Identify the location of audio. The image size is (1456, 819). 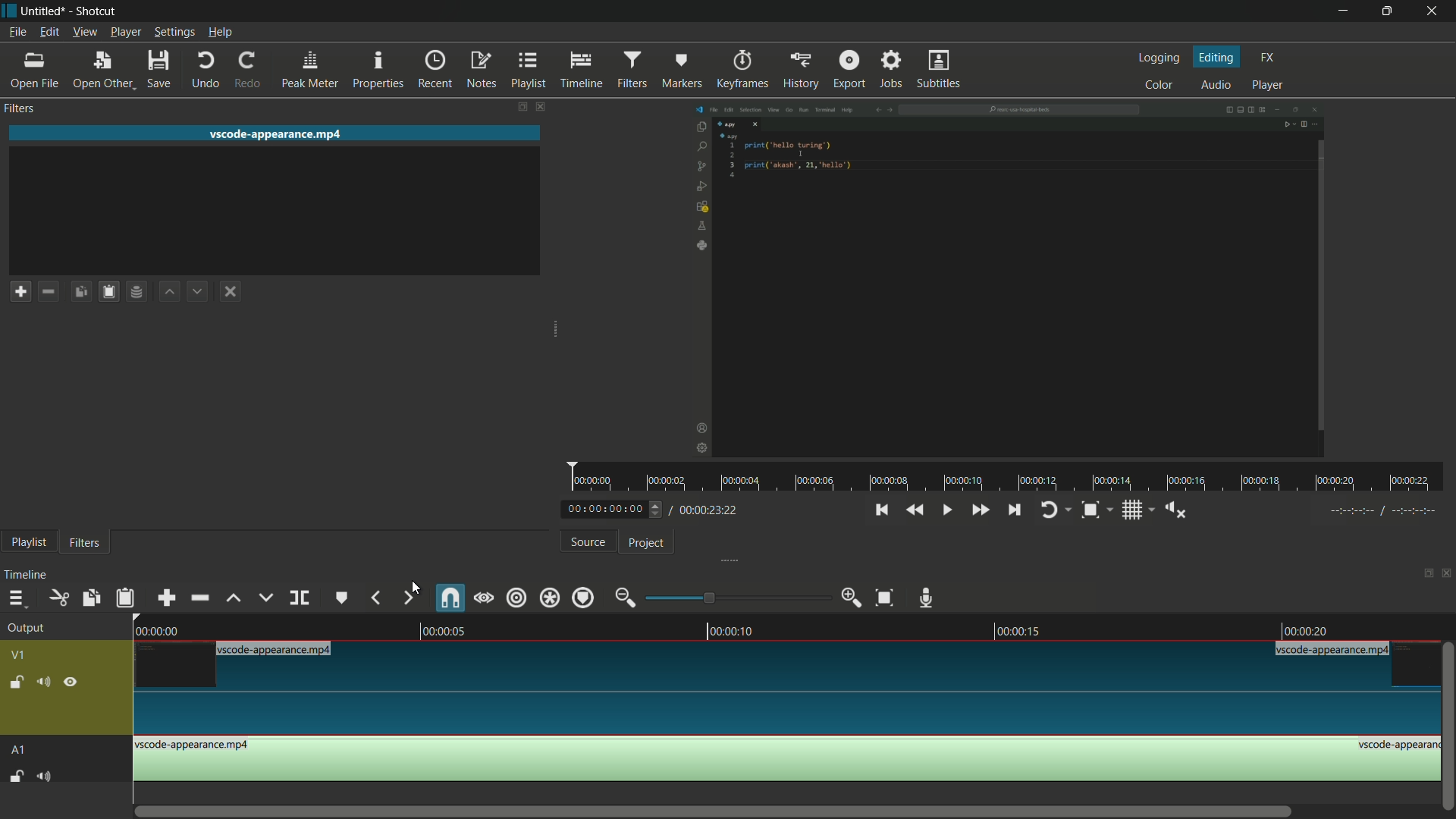
(1216, 84).